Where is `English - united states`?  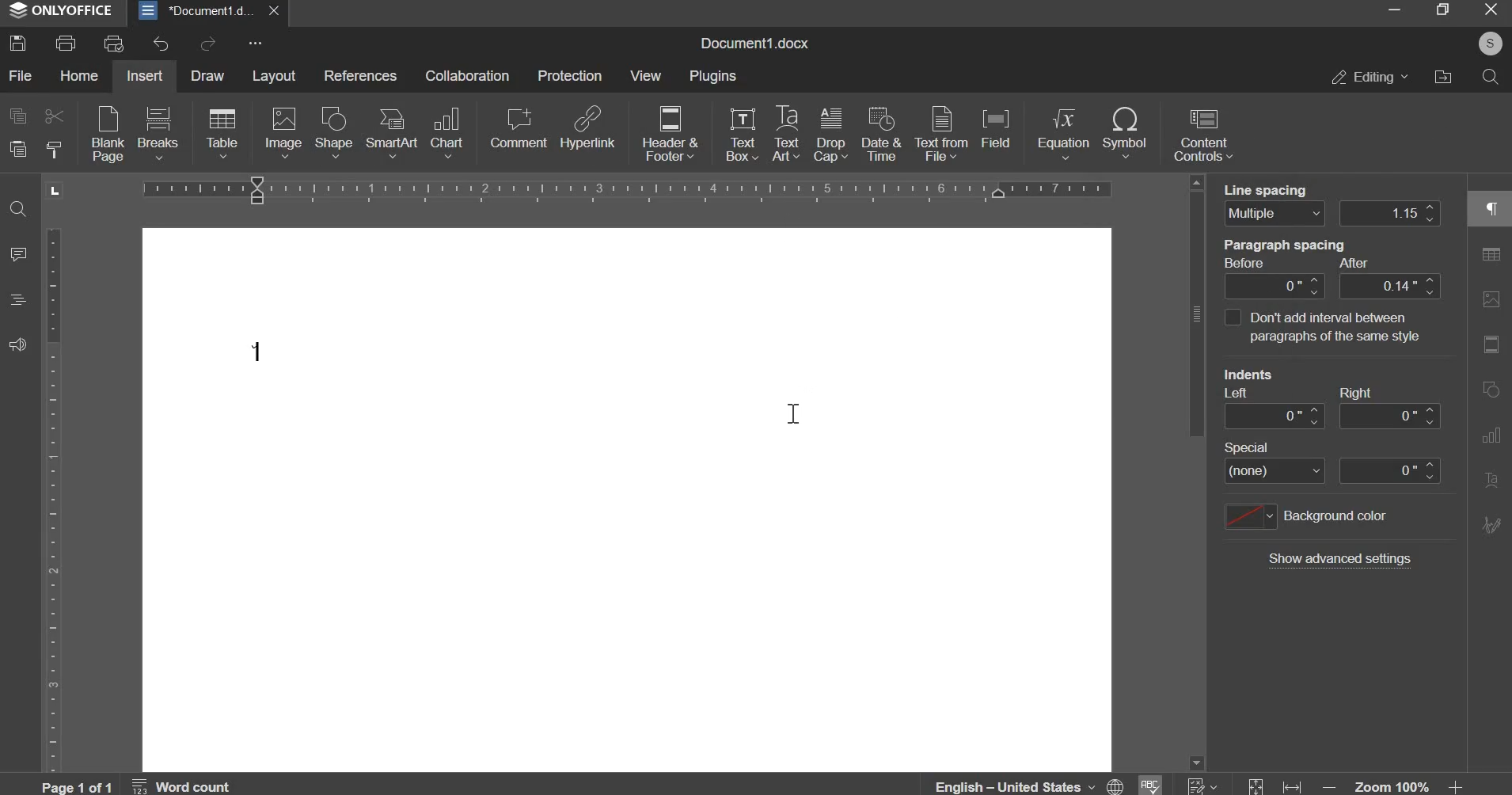
English - united states is located at coordinates (1029, 786).